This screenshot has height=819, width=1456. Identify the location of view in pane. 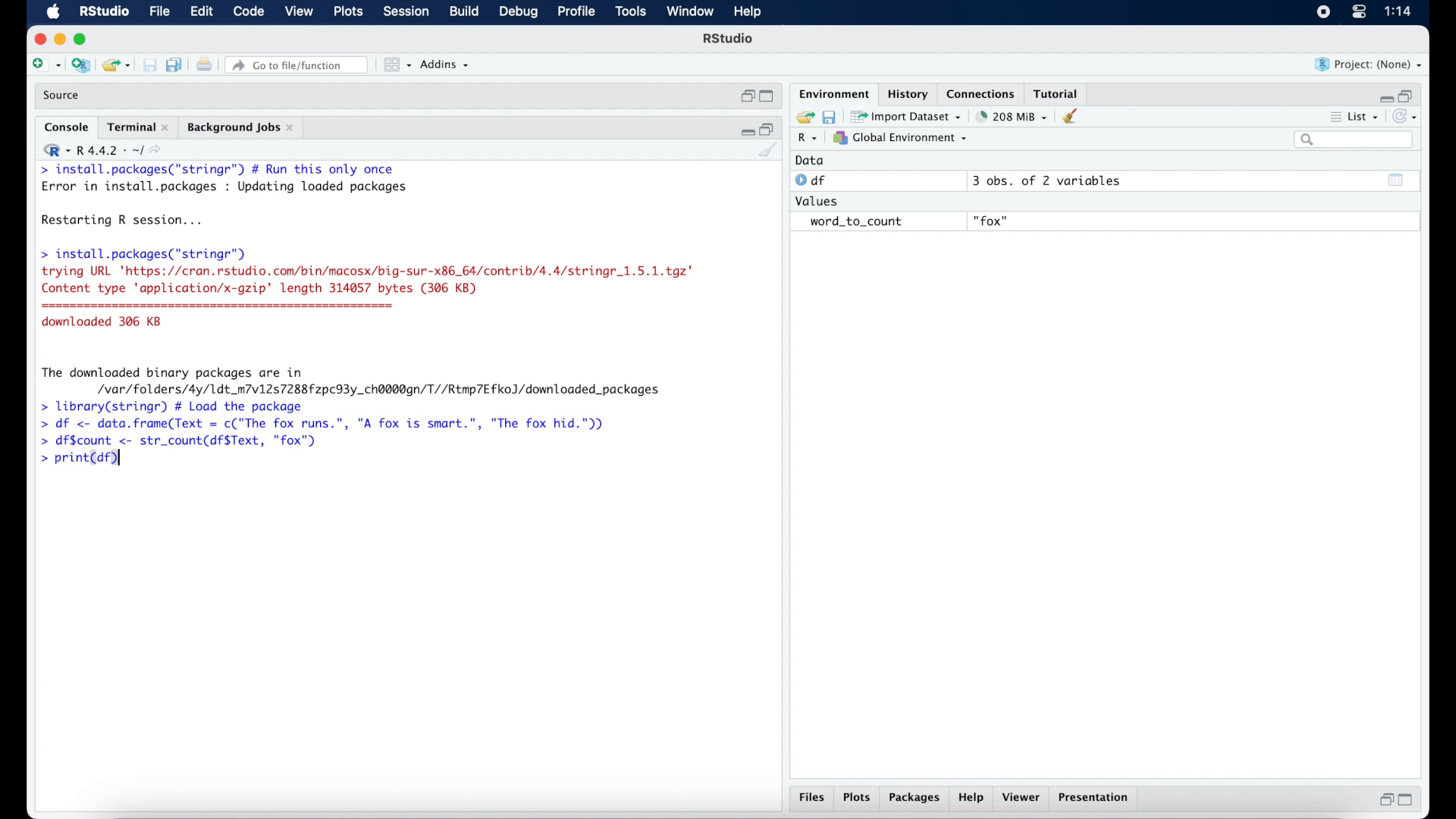
(396, 65).